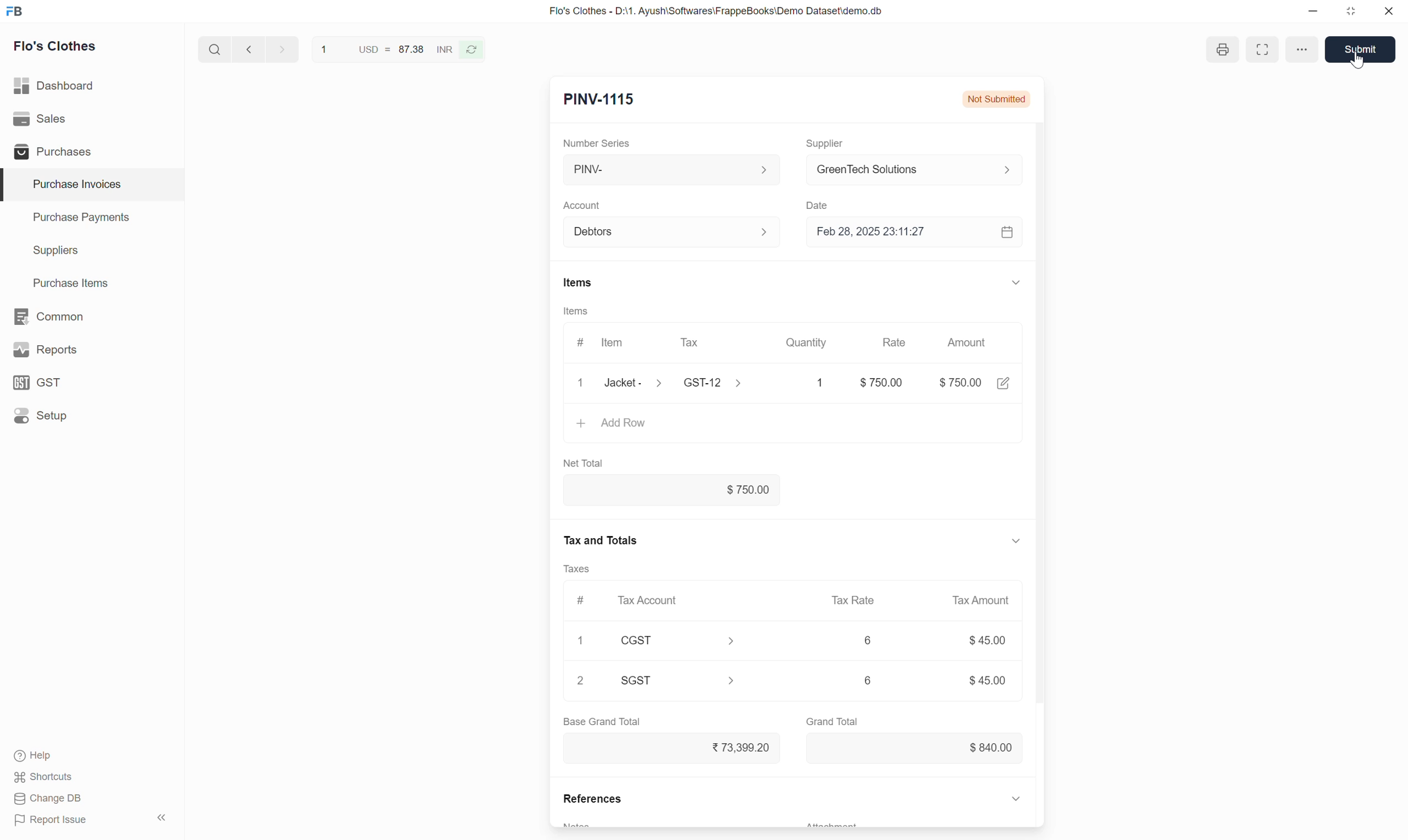  What do you see at coordinates (921, 169) in the screenshot?
I see `GreenTech Solutions` at bounding box center [921, 169].